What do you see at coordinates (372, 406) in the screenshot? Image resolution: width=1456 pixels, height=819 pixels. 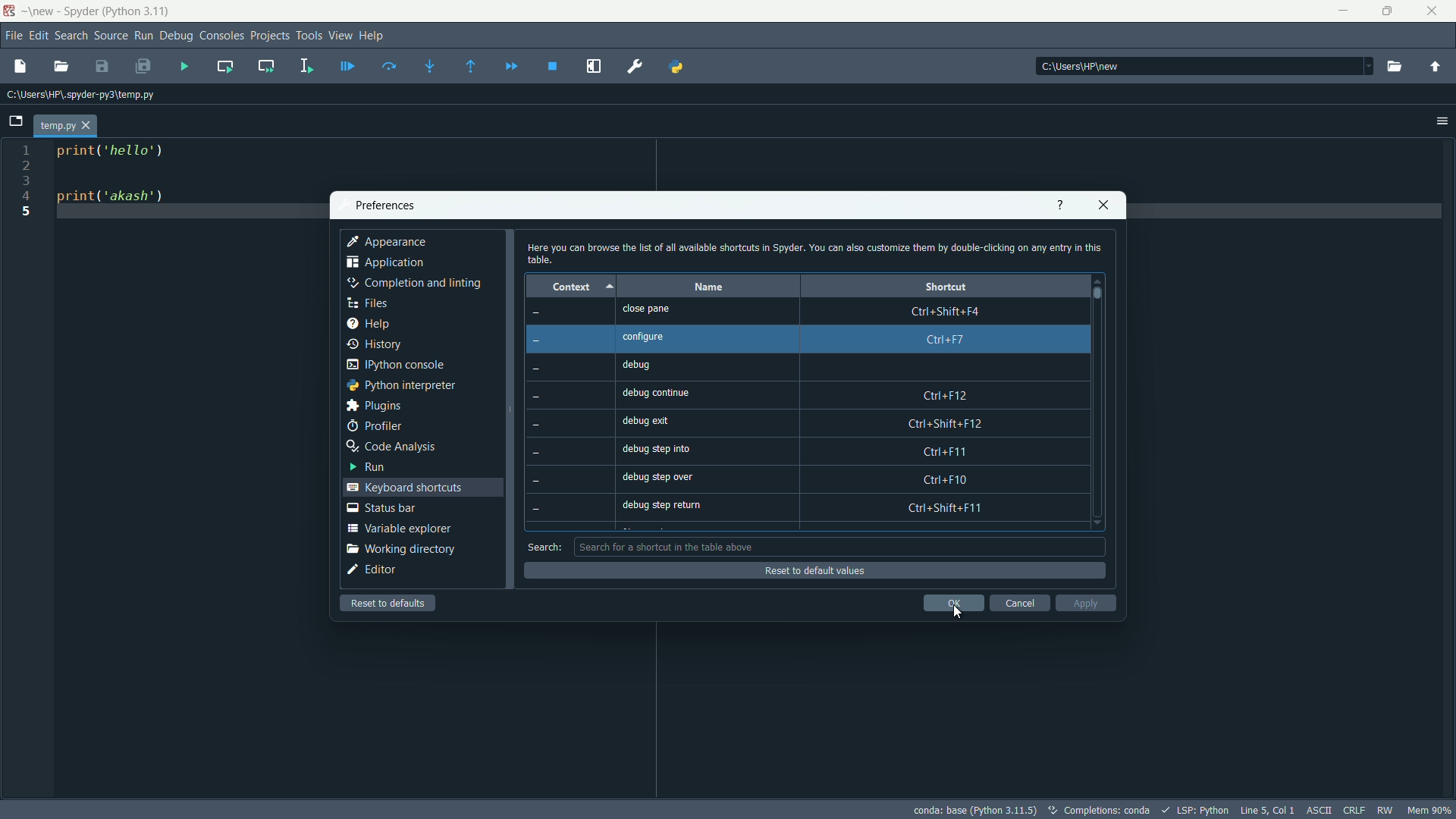 I see `plugins` at bounding box center [372, 406].